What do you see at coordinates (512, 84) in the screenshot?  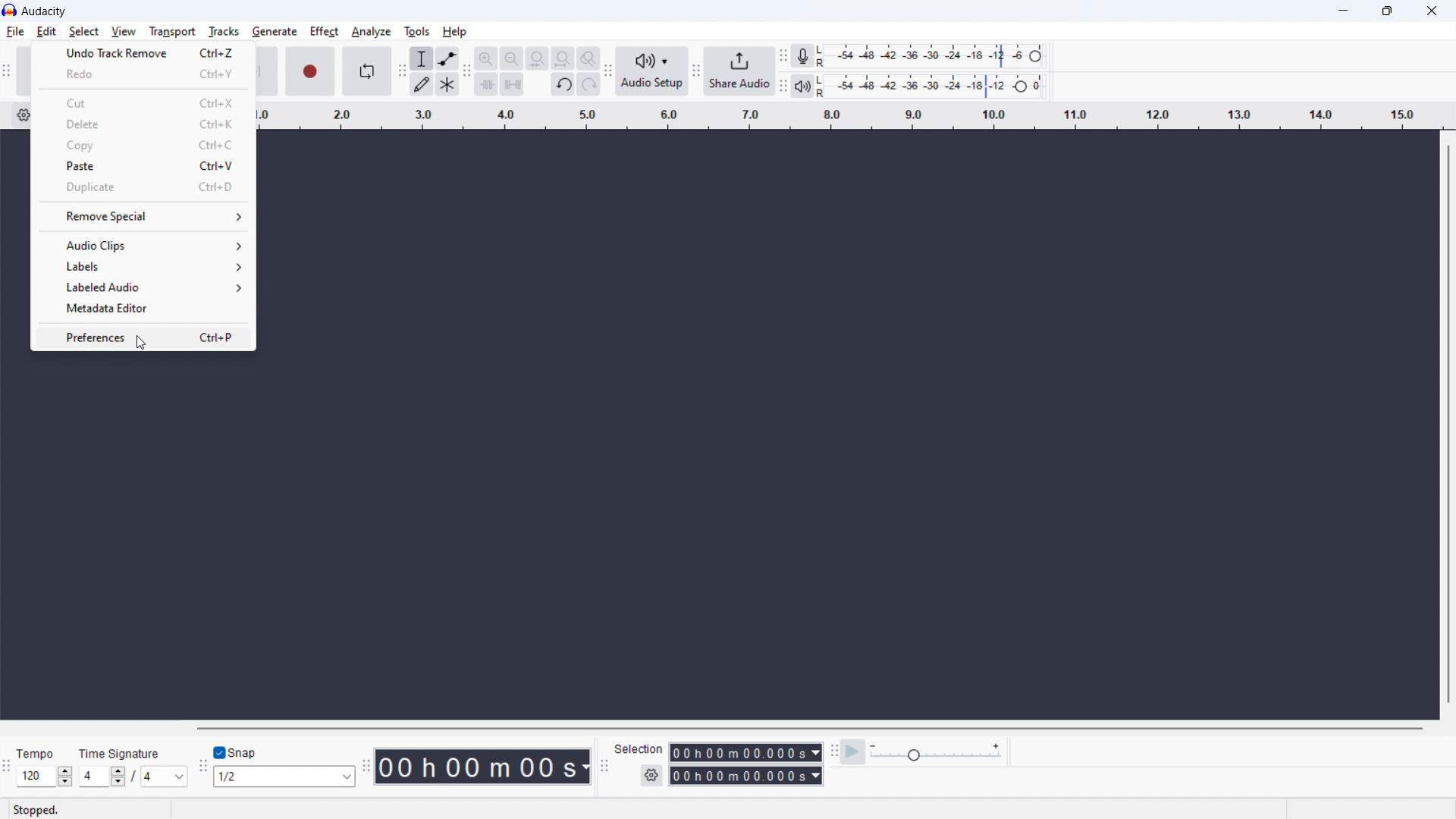 I see `silence audio selection` at bounding box center [512, 84].